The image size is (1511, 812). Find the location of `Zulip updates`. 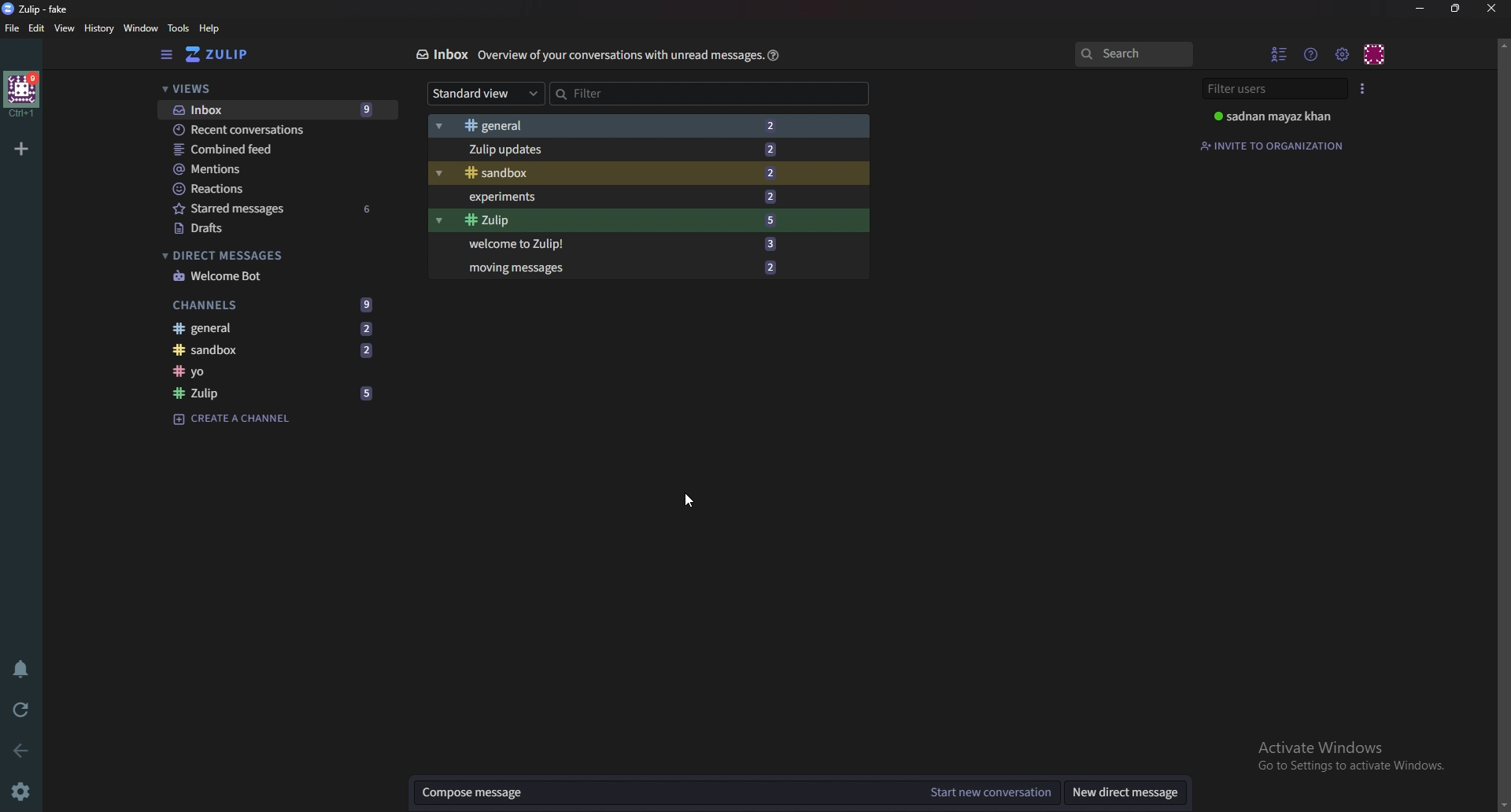

Zulip updates is located at coordinates (615, 150).